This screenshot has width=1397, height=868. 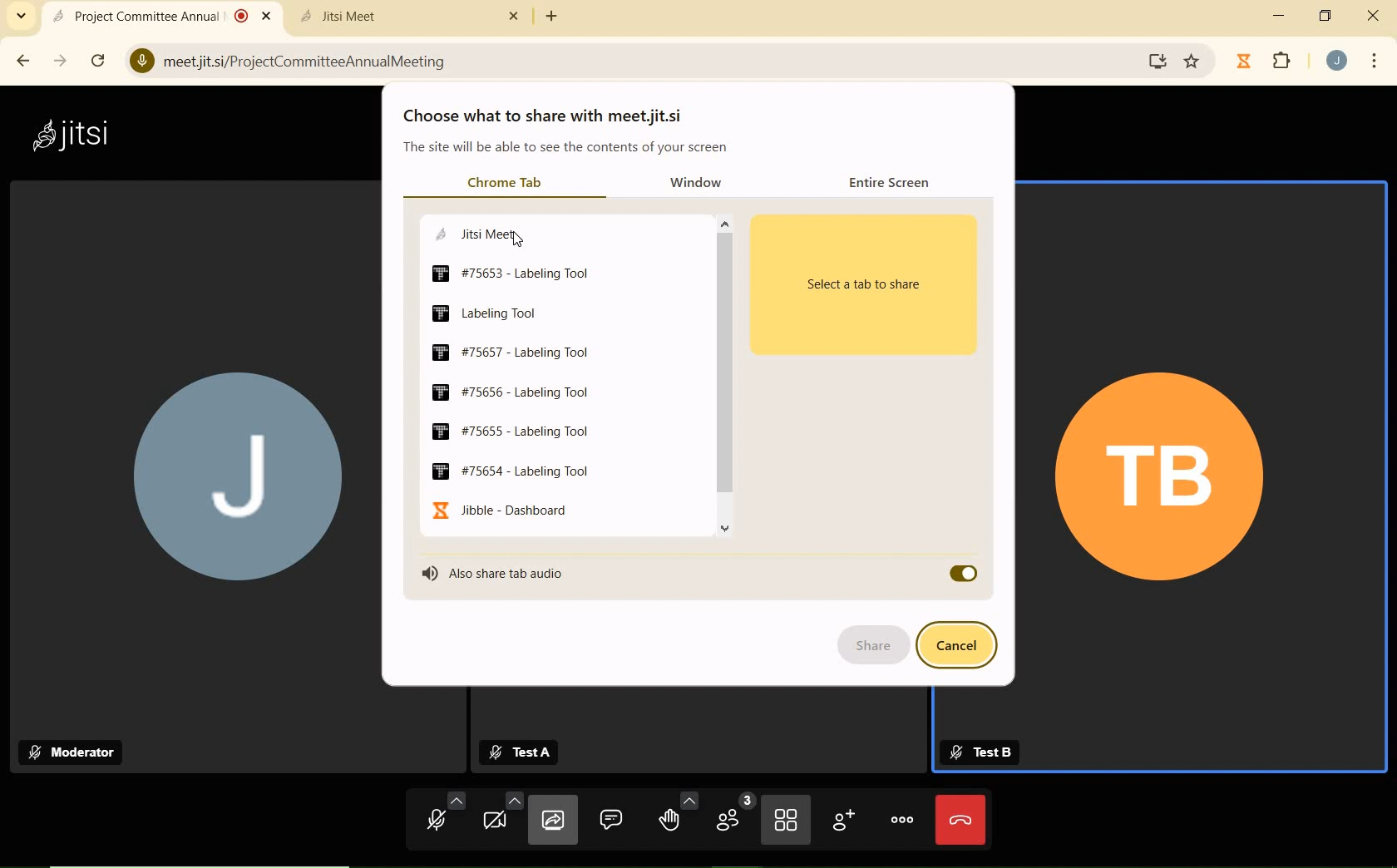 I want to click on toggle tile view, so click(x=786, y=822).